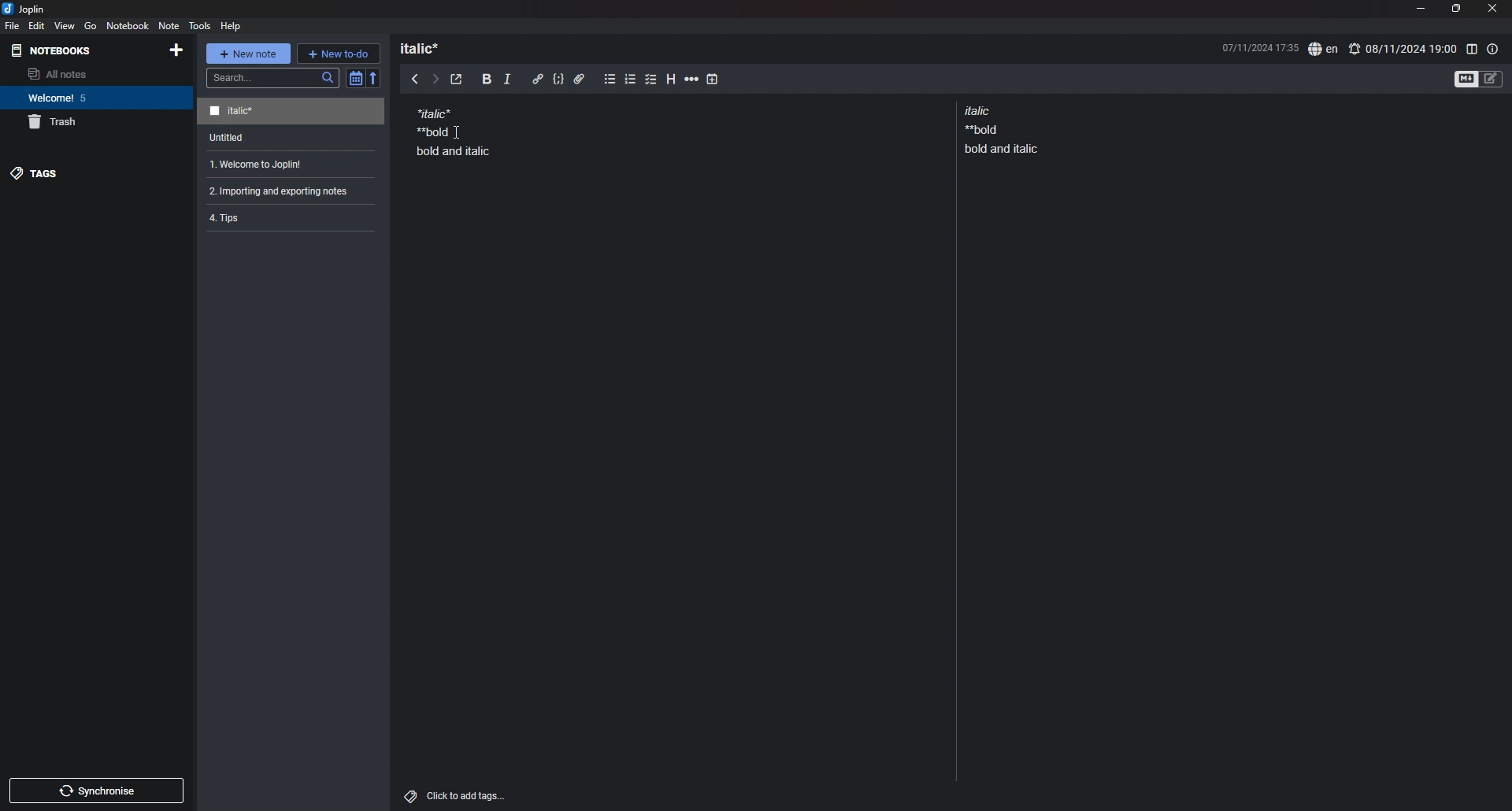 This screenshot has height=811, width=1512. What do you see at coordinates (1420, 8) in the screenshot?
I see `minimize` at bounding box center [1420, 8].